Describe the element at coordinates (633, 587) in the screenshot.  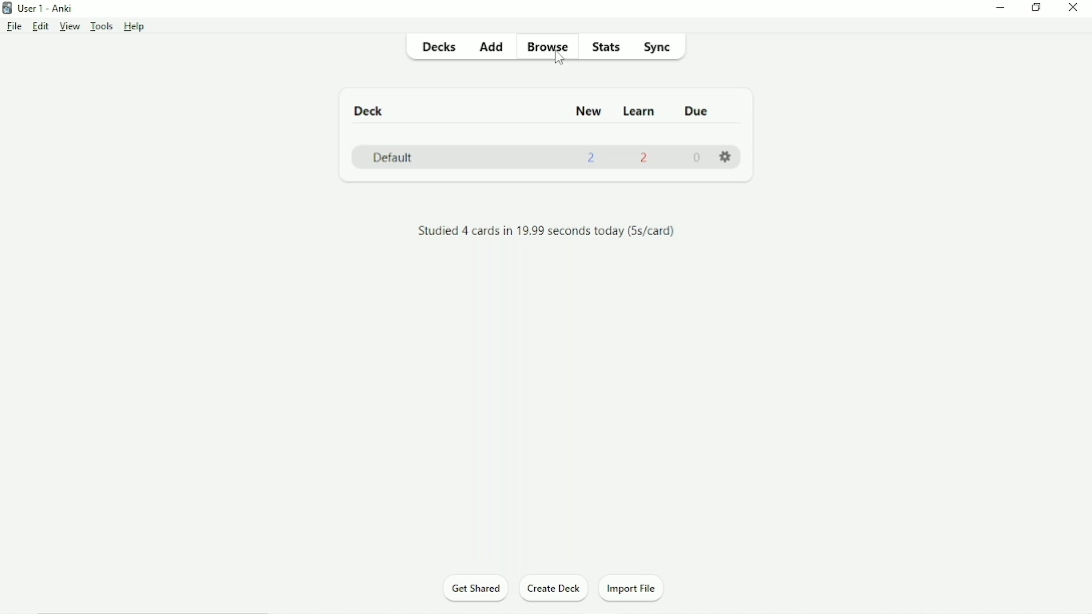
I see `Import File` at that location.